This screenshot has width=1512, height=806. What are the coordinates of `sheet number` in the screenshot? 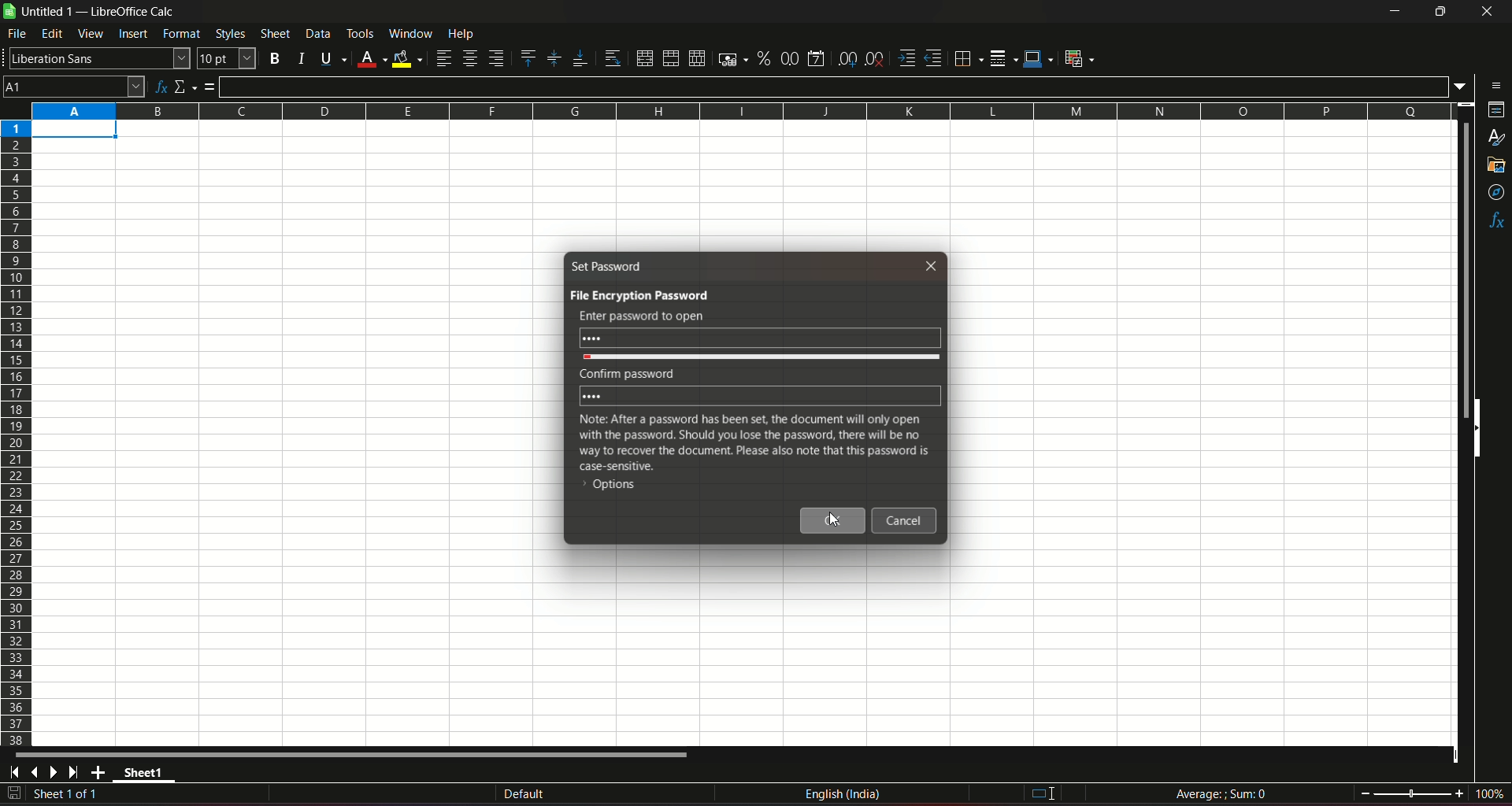 It's located at (74, 795).